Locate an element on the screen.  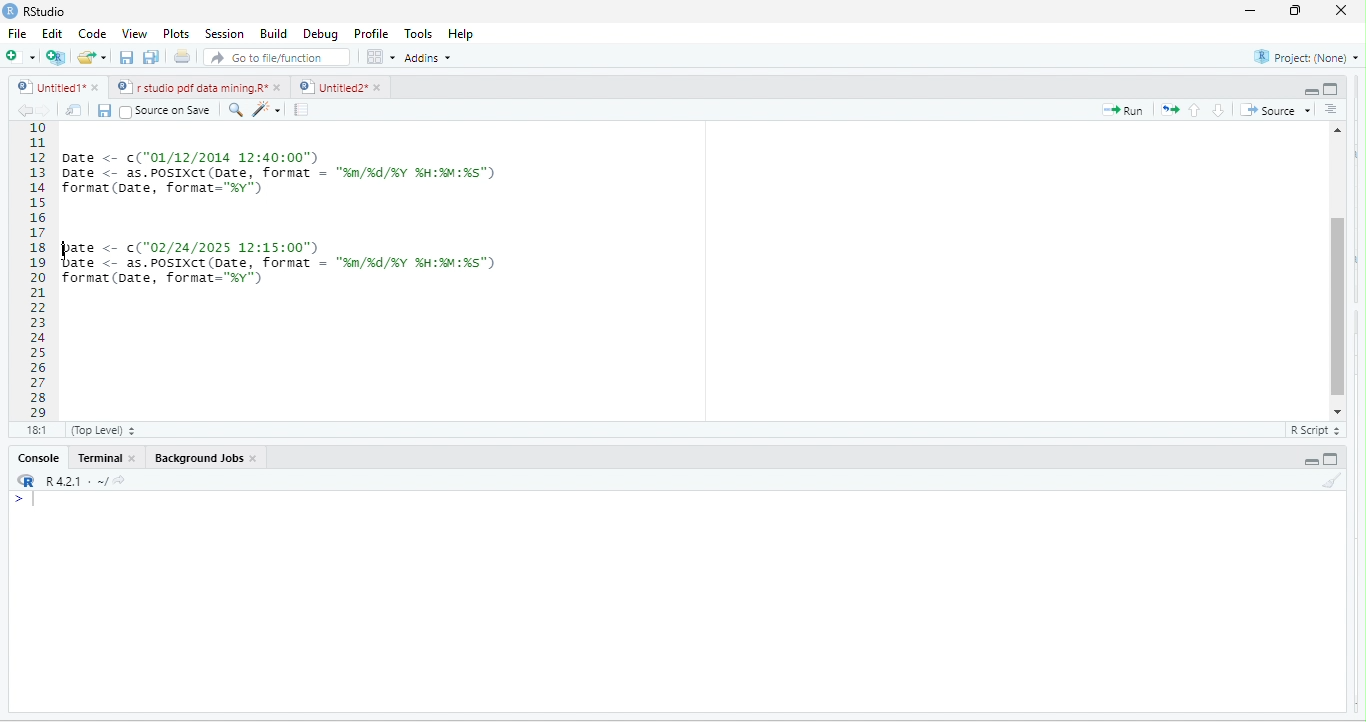
‘Source on Save is located at coordinates (165, 110).